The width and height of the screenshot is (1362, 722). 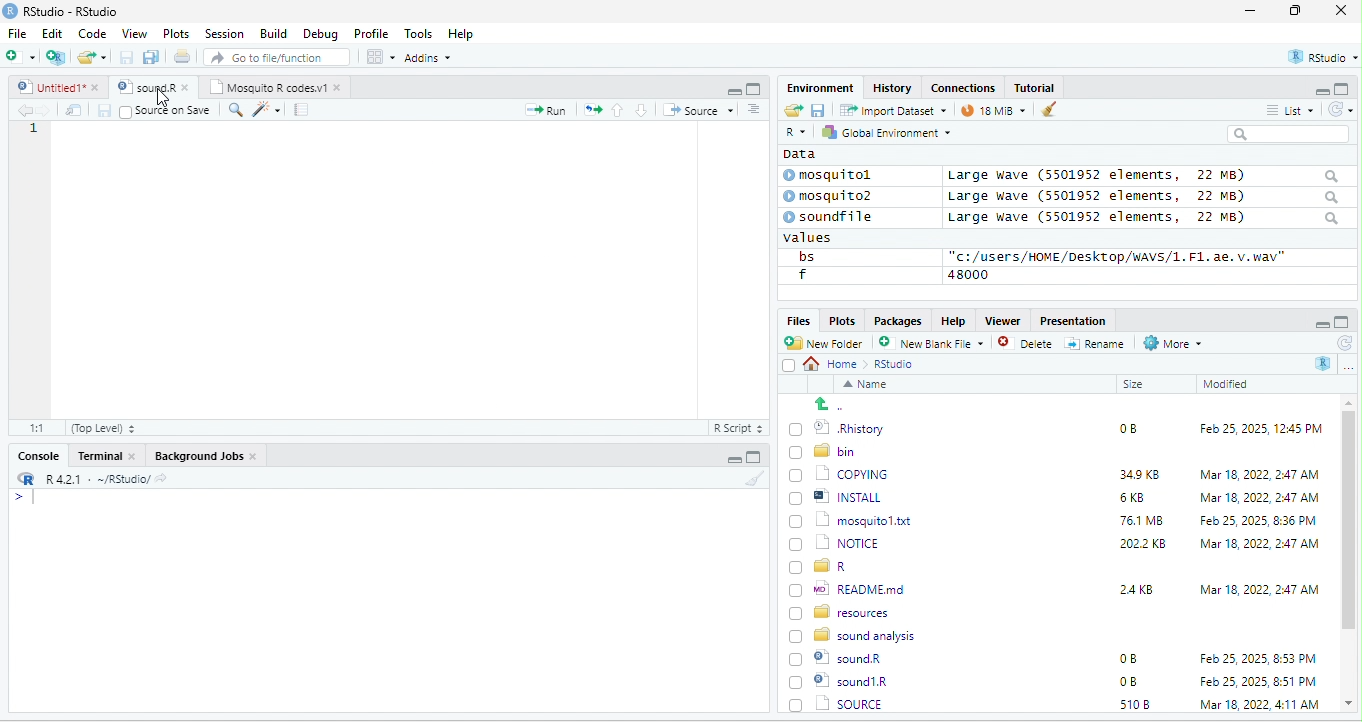 I want to click on brush, so click(x=1044, y=111).